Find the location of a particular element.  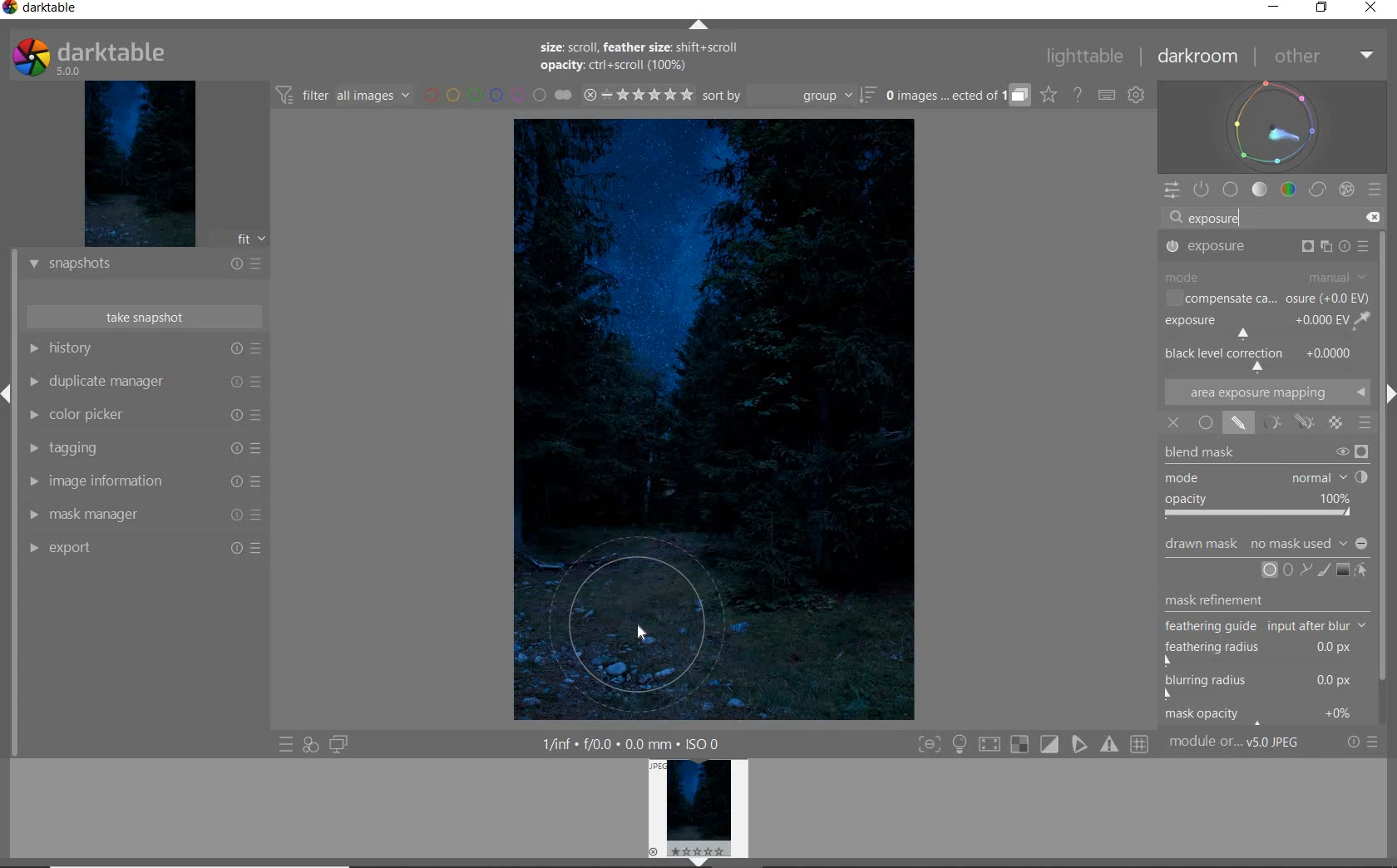

CORRECT is located at coordinates (1319, 189).